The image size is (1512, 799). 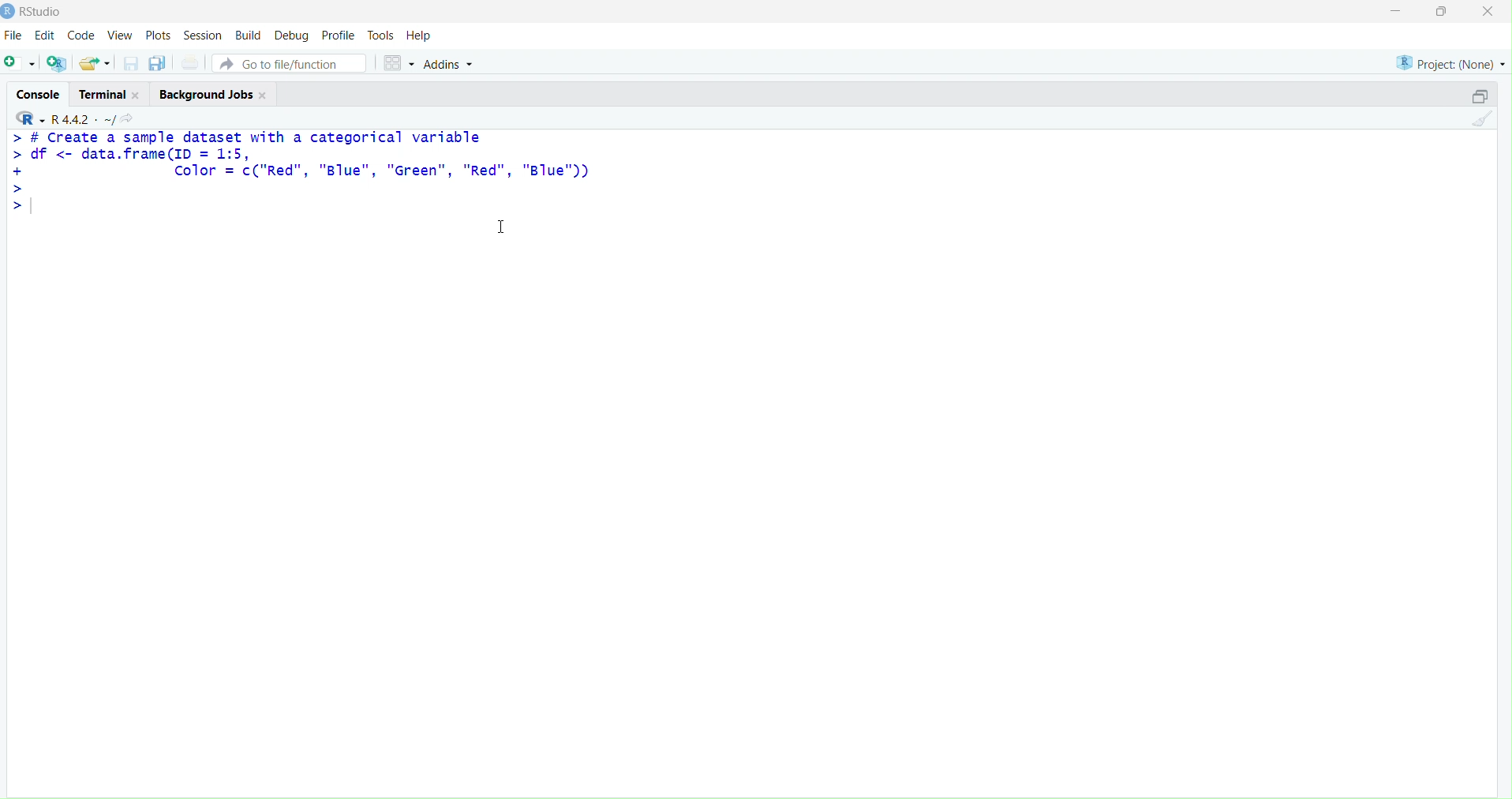 I want to click on Build , so click(x=250, y=35).